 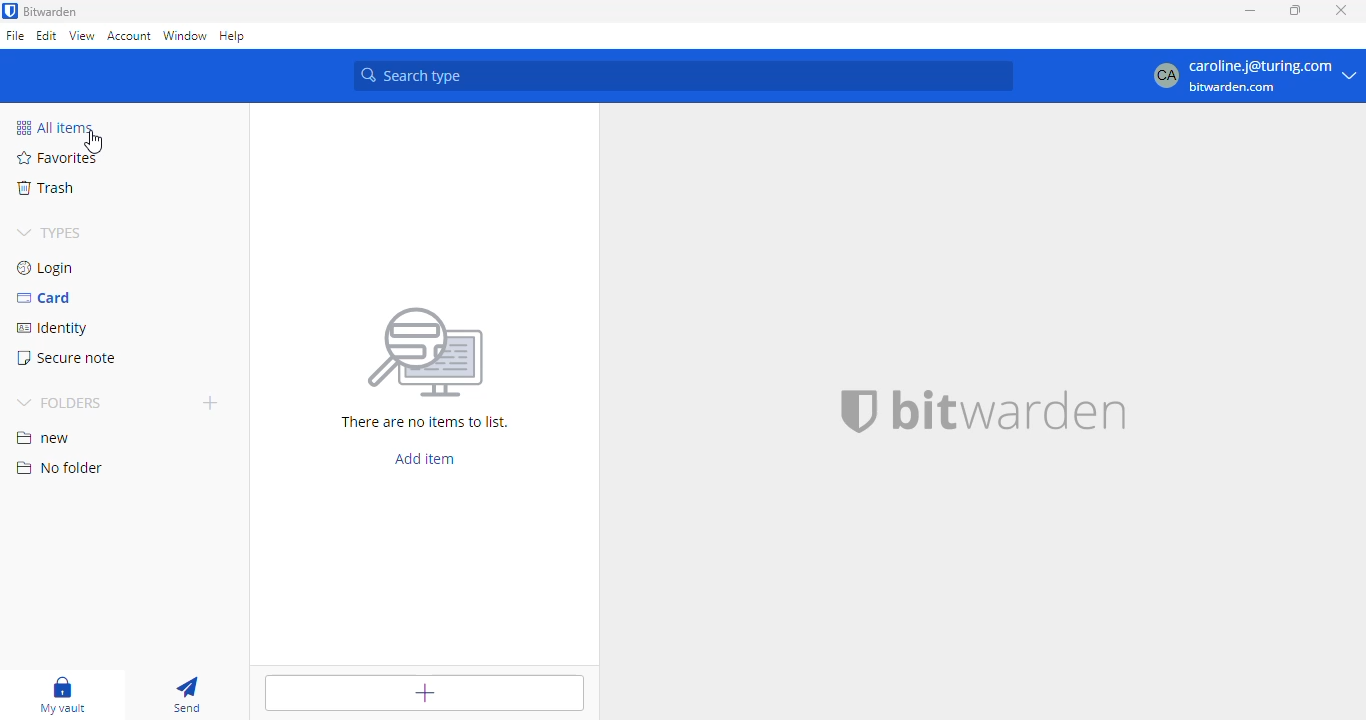 What do you see at coordinates (51, 12) in the screenshot?
I see `bitwarden` at bounding box center [51, 12].